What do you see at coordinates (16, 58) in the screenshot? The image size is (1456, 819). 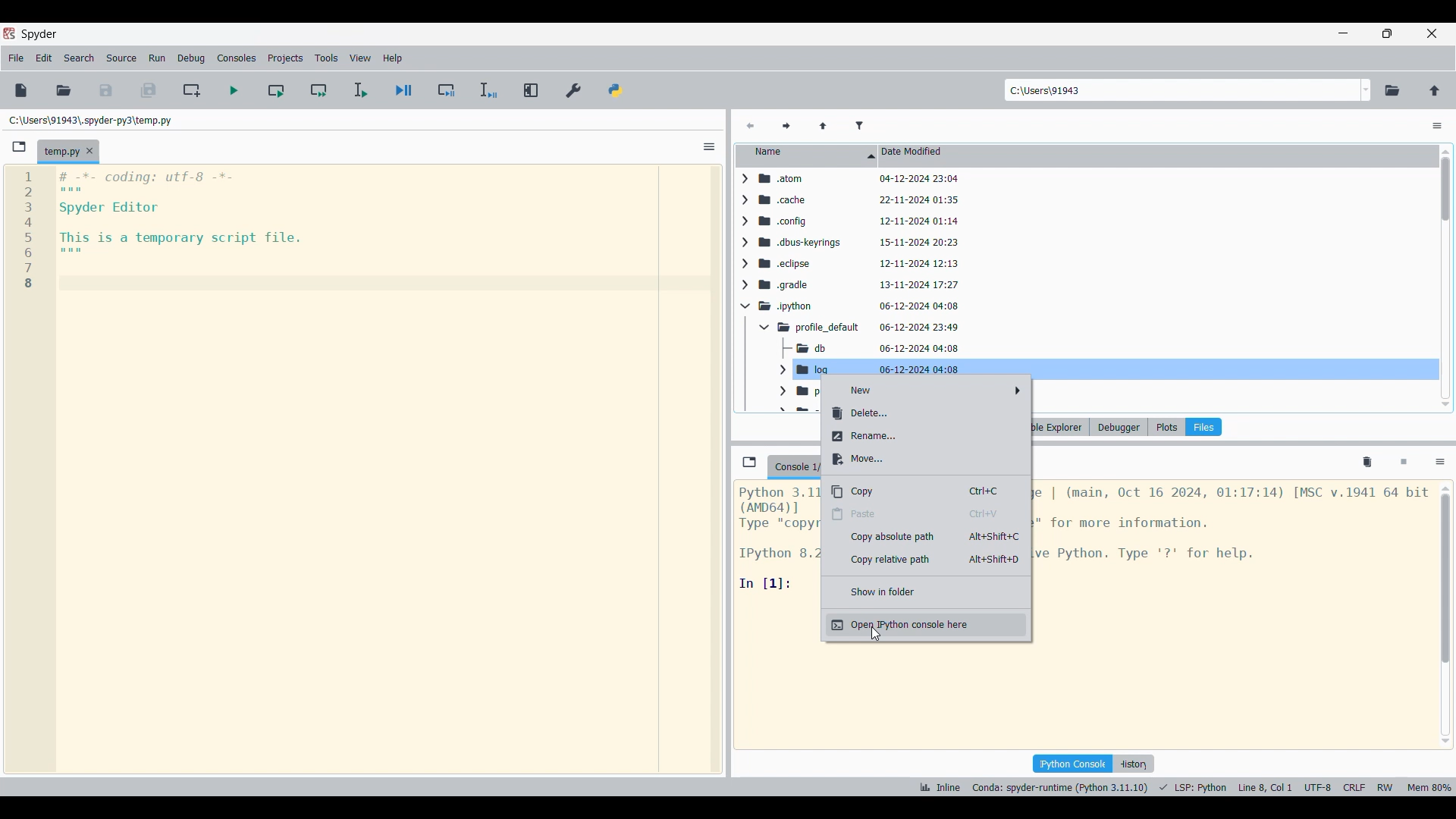 I see `File menu` at bounding box center [16, 58].